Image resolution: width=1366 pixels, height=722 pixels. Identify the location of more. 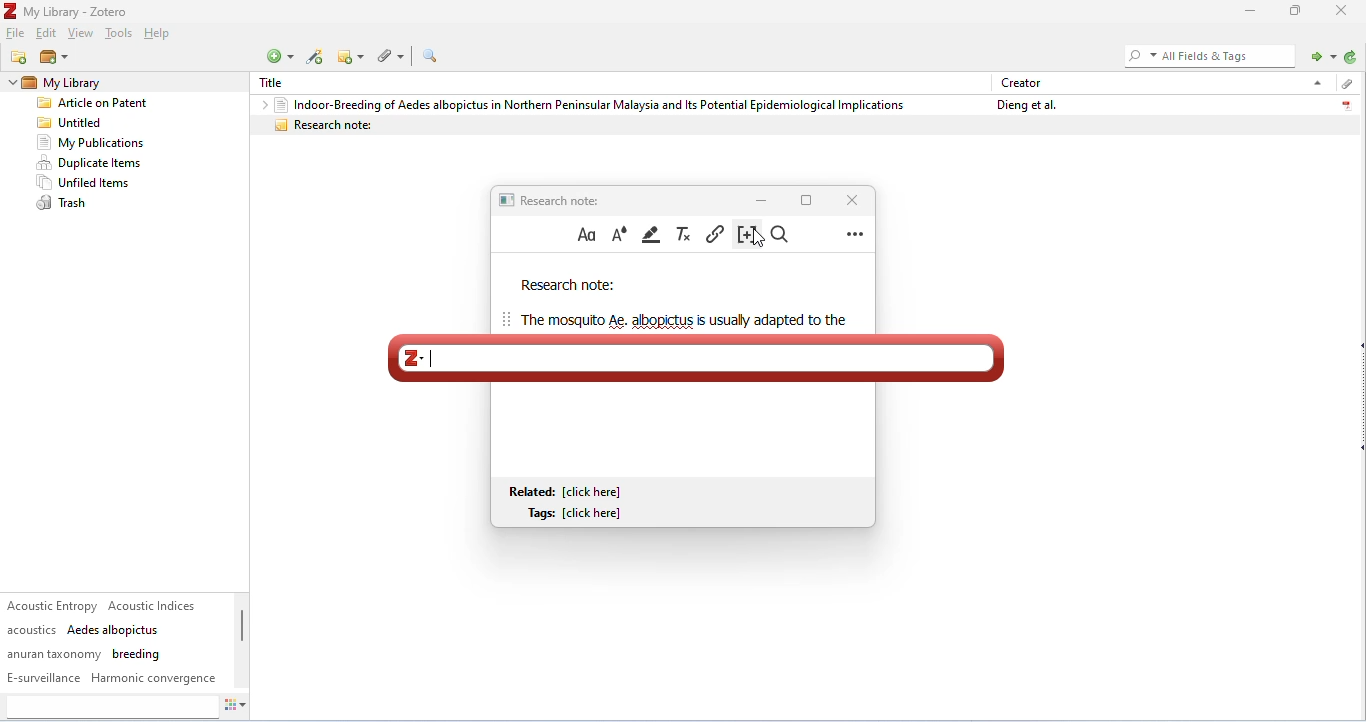
(855, 233).